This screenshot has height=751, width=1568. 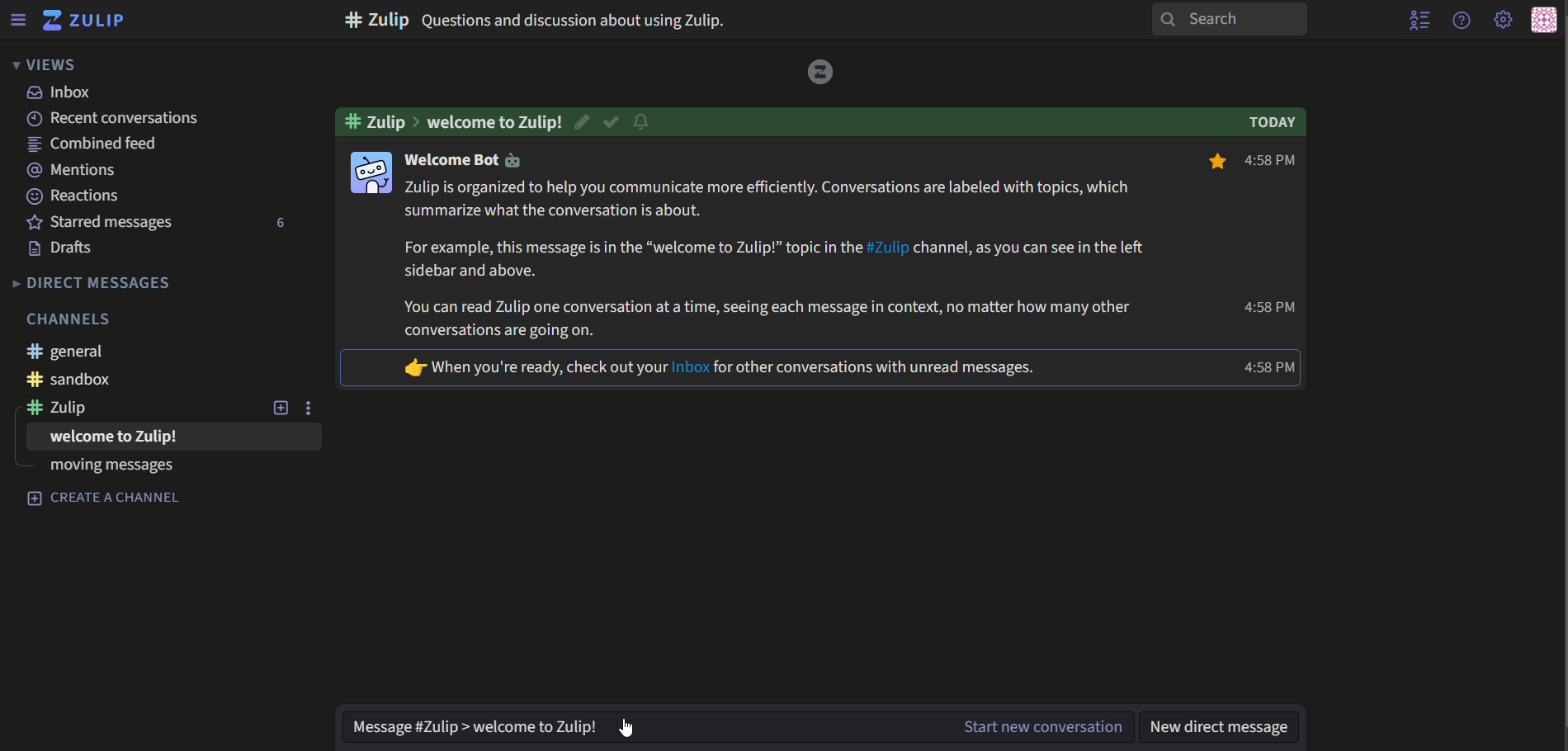 I want to click on text, so click(x=74, y=171).